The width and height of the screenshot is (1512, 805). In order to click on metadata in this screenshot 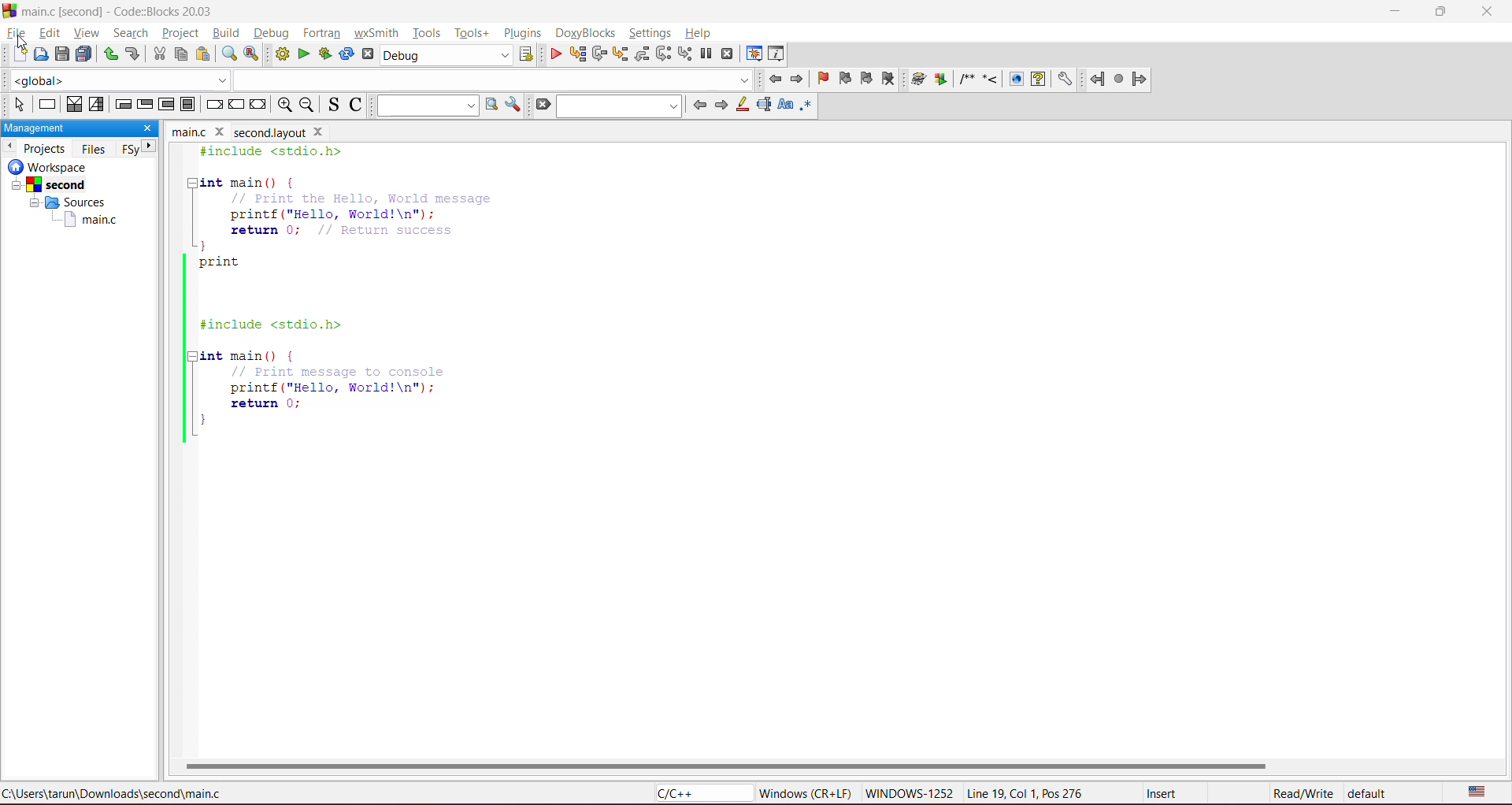, I will do `click(1078, 793)`.